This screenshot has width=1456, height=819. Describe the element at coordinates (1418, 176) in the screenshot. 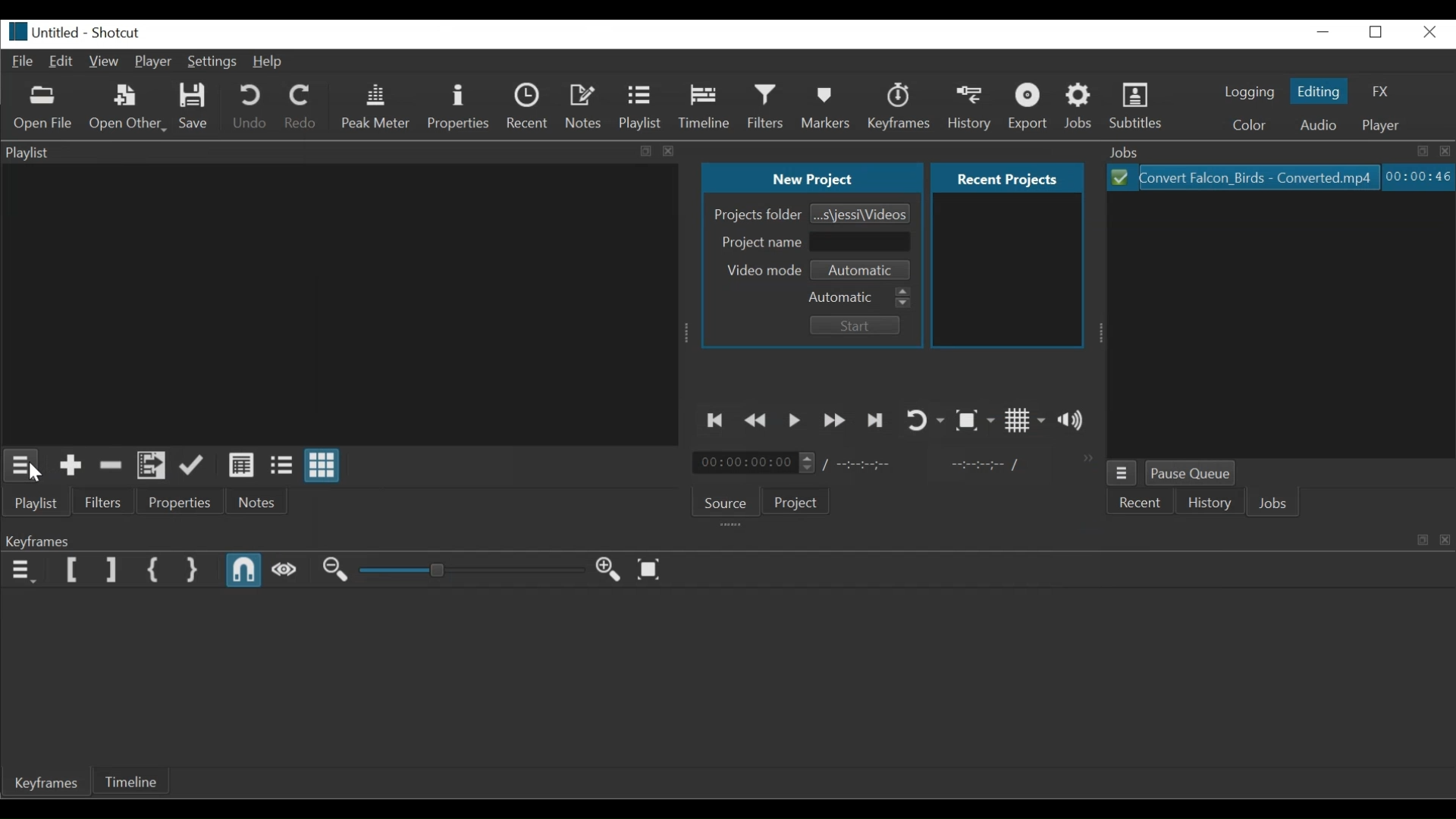

I see `Elapsed: Hours: Minutes: Seconds` at that location.